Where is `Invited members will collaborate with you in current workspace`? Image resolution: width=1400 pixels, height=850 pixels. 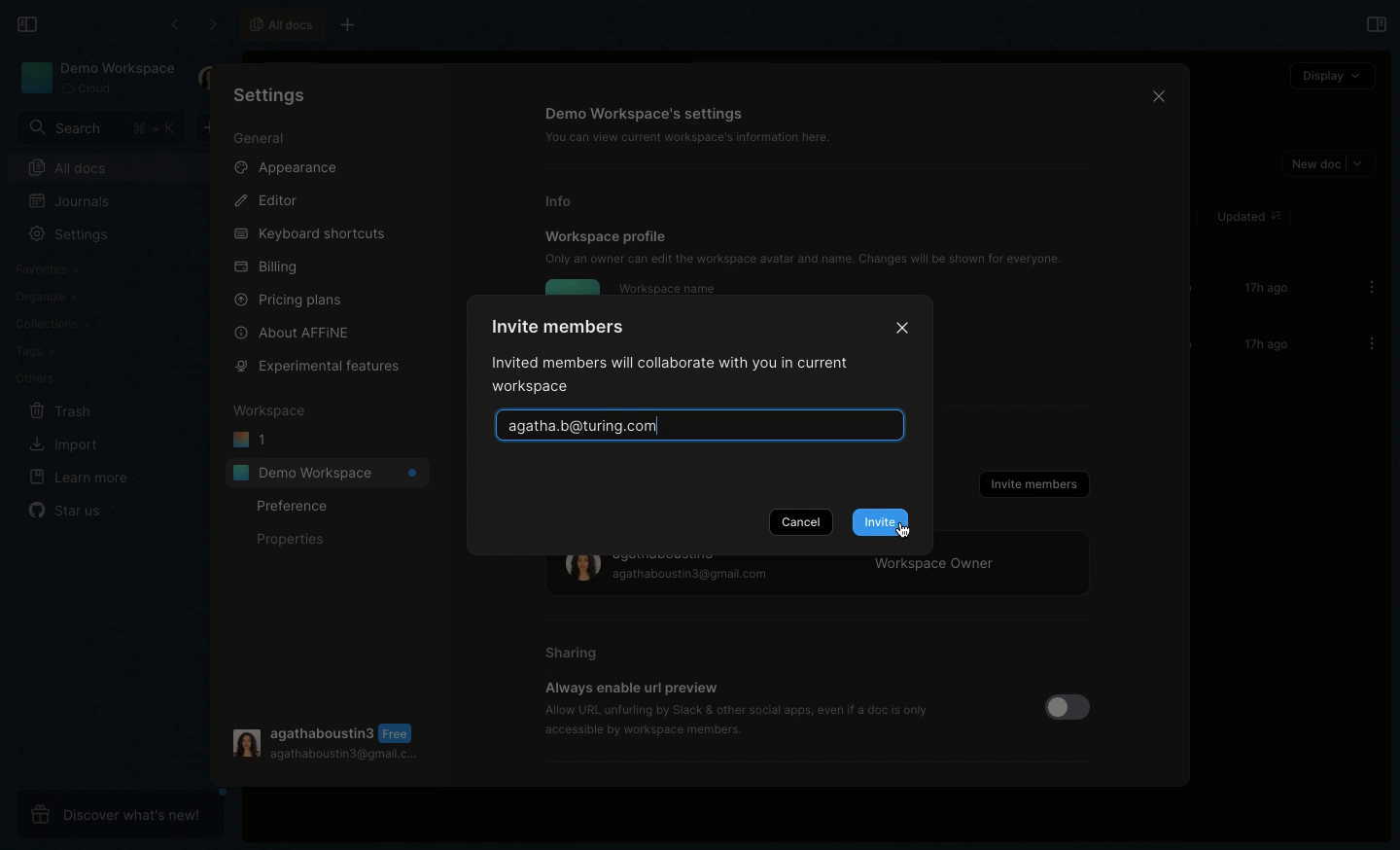 Invited members will collaborate with you in current workspace is located at coordinates (679, 377).